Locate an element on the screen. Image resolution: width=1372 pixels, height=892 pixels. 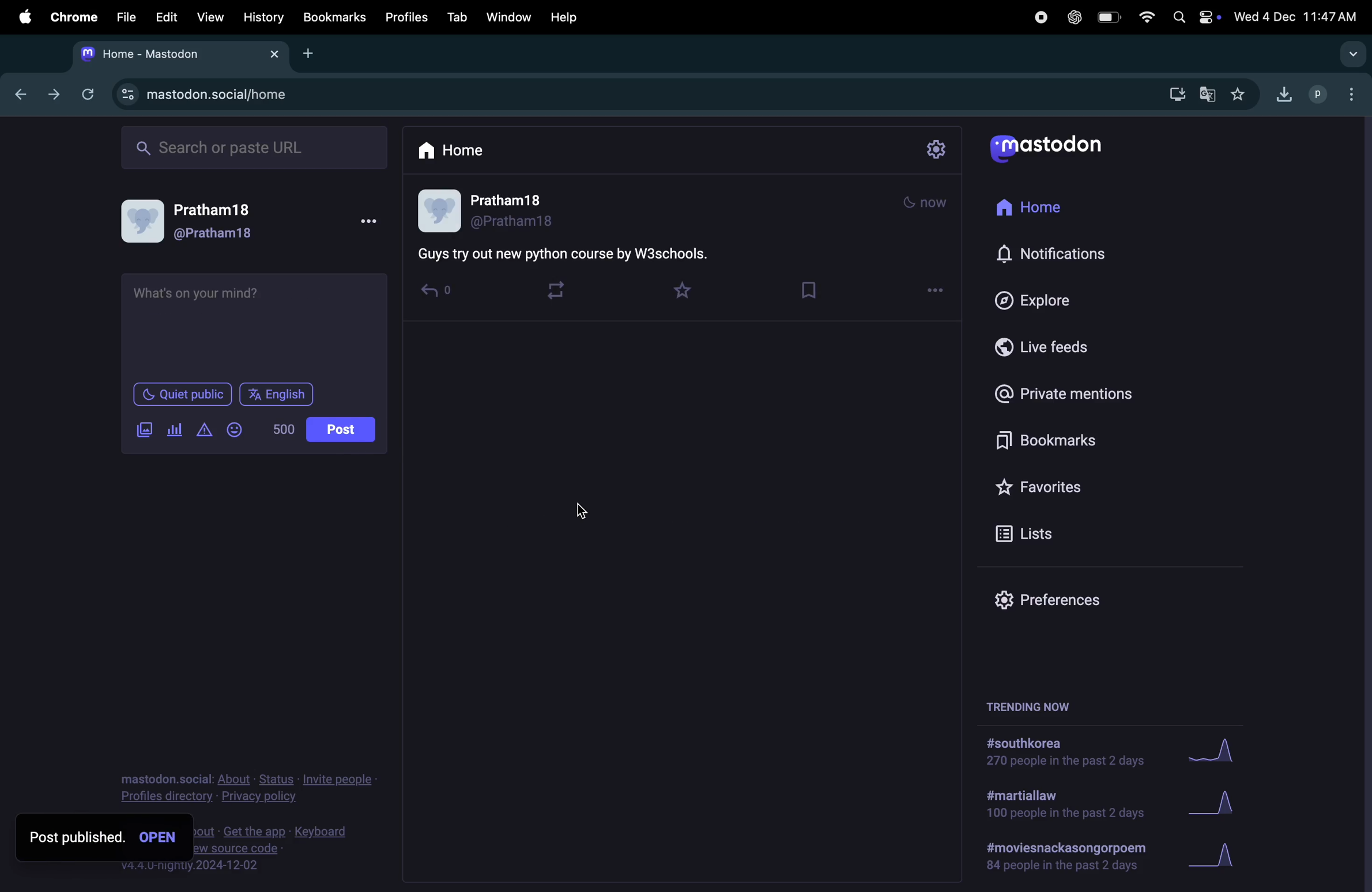
English is located at coordinates (279, 394).